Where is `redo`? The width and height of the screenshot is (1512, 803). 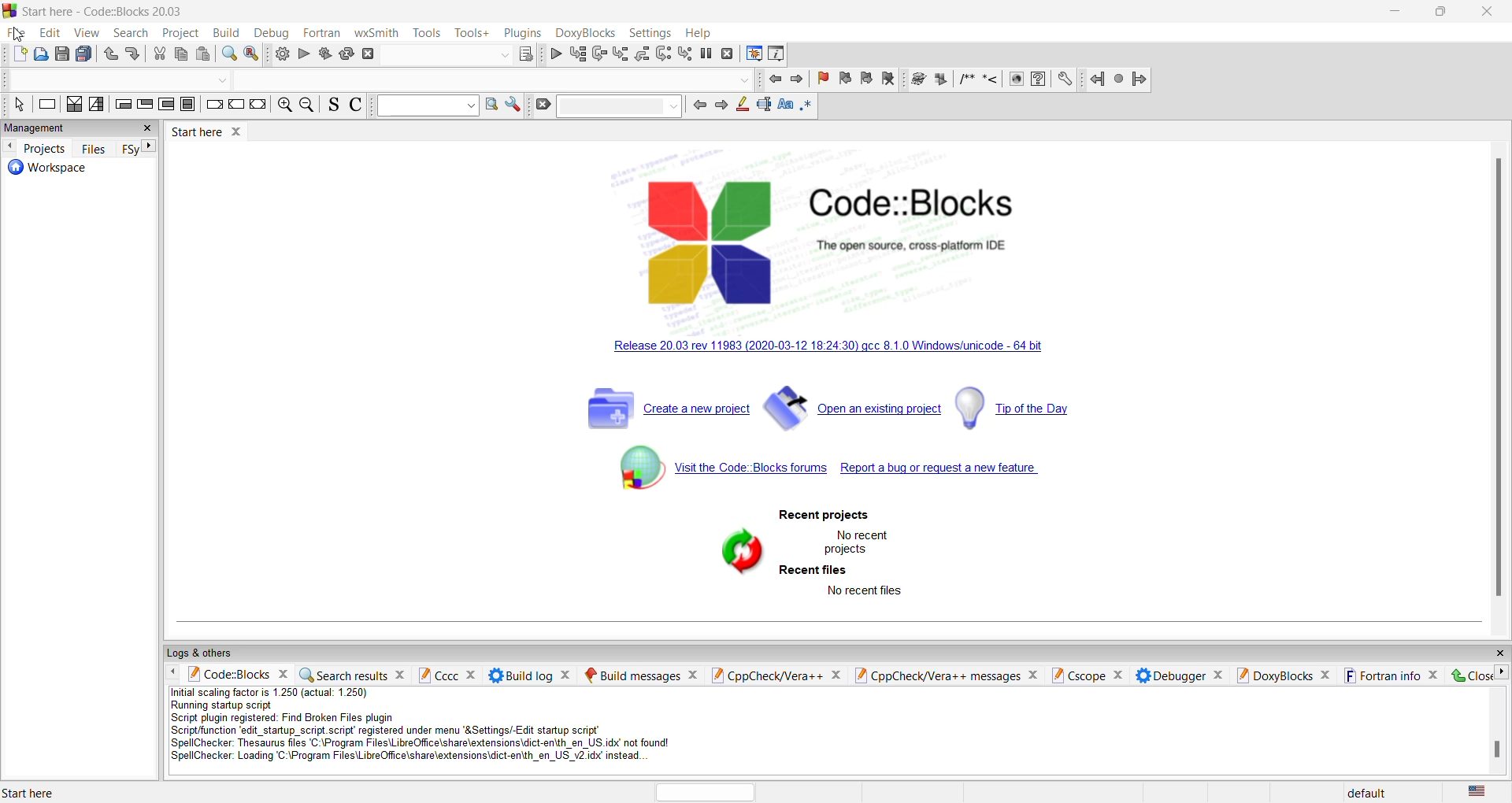
redo is located at coordinates (135, 54).